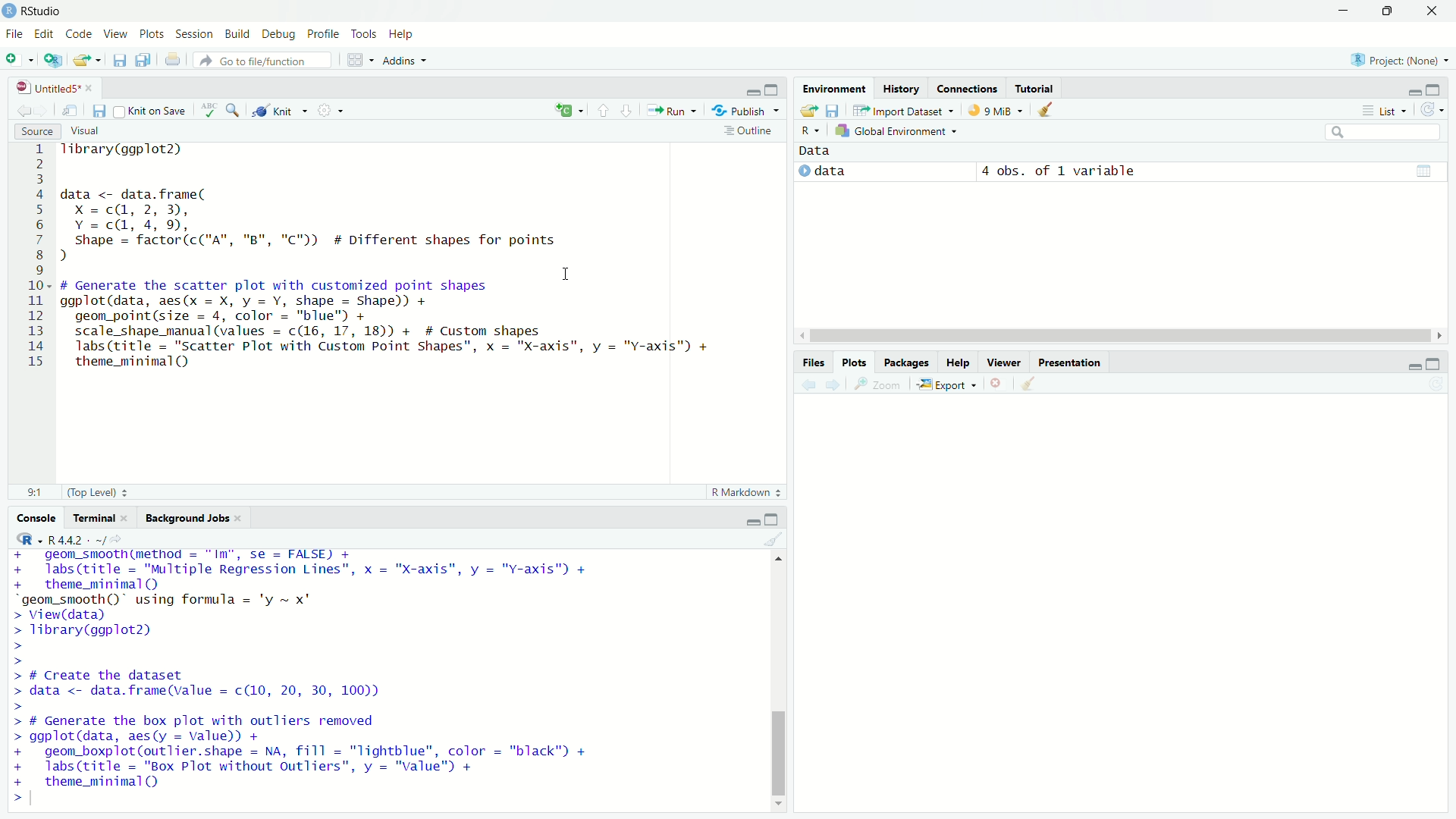  Describe the element at coordinates (809, 111) in the screenshot. I see `Load workspace` at that location.